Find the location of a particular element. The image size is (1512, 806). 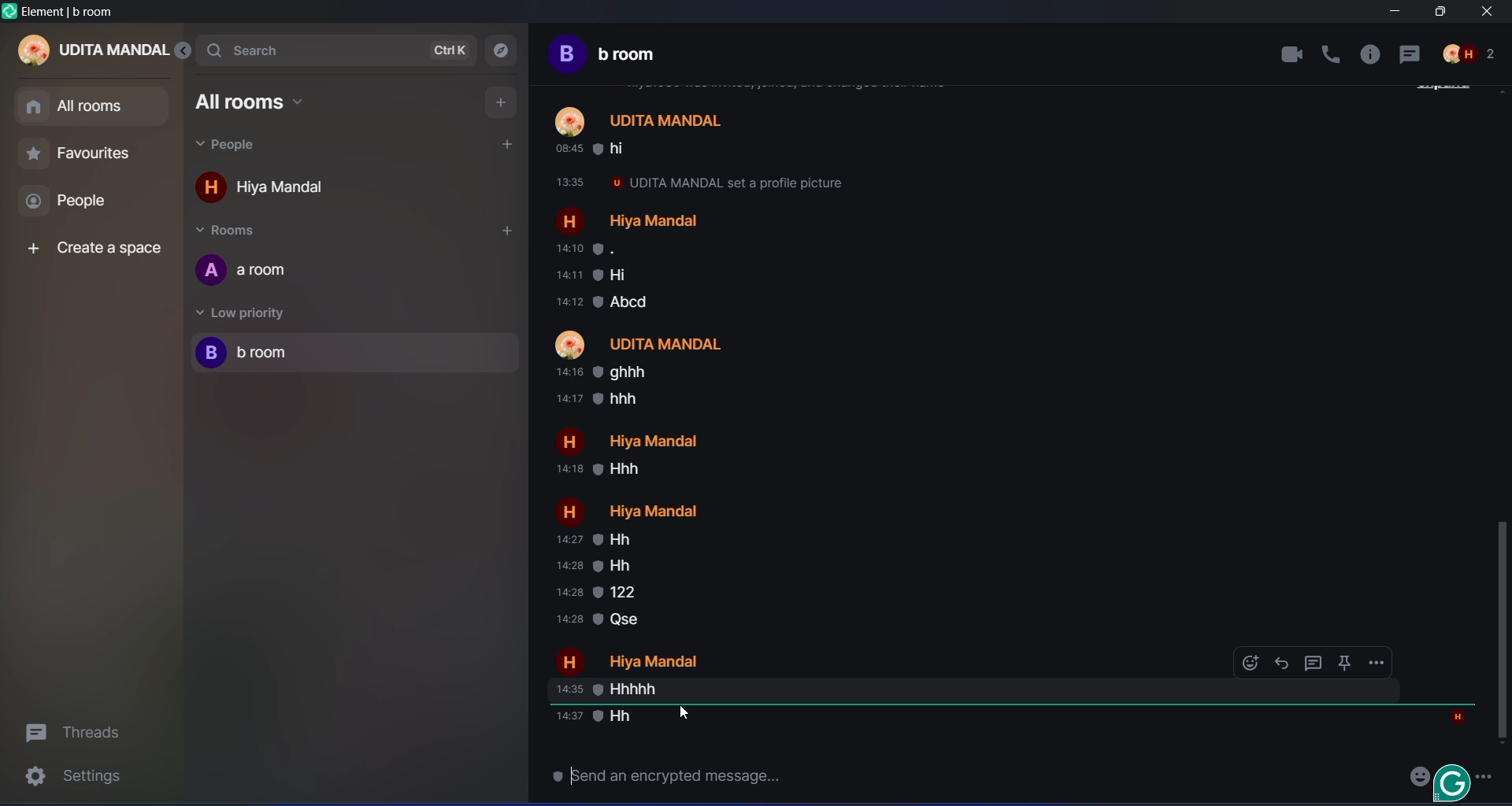

Chat is located at coordinates (1412, 56).